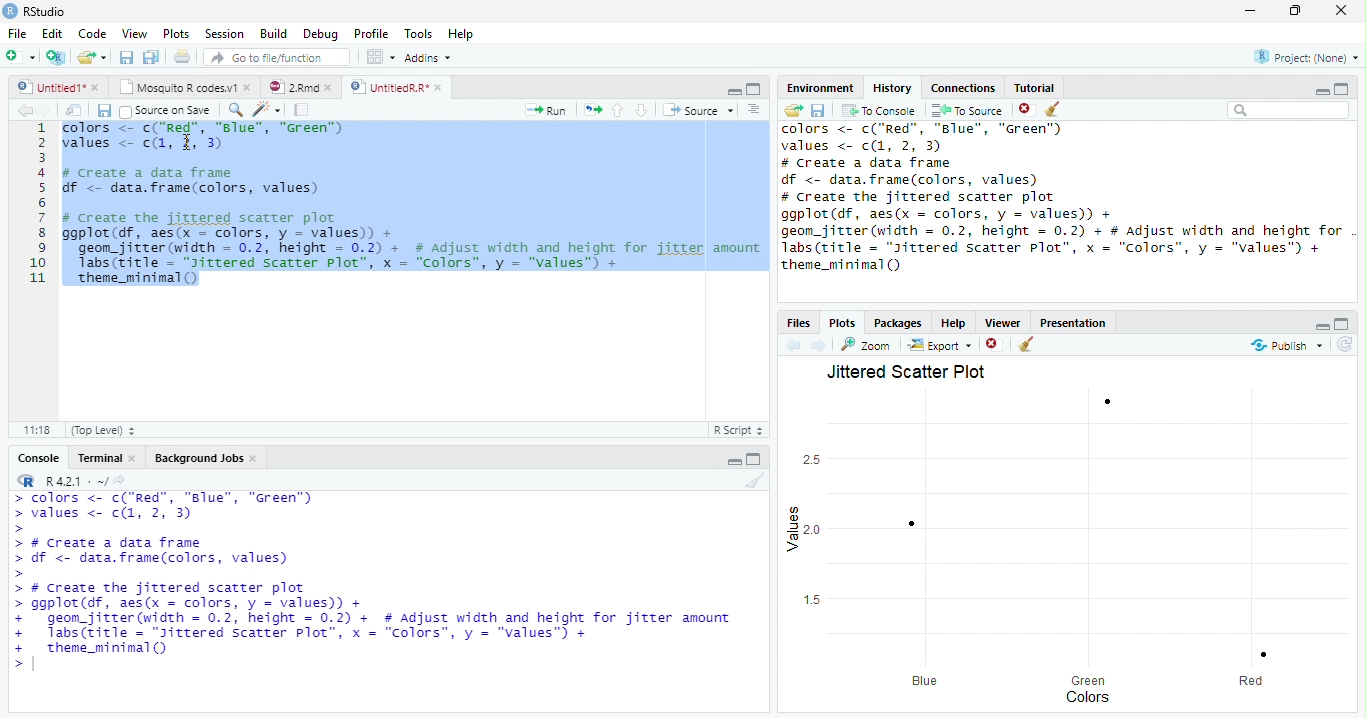 This screenshot has width=1366, height=718. I want to click on Plots, so click(842, 323).